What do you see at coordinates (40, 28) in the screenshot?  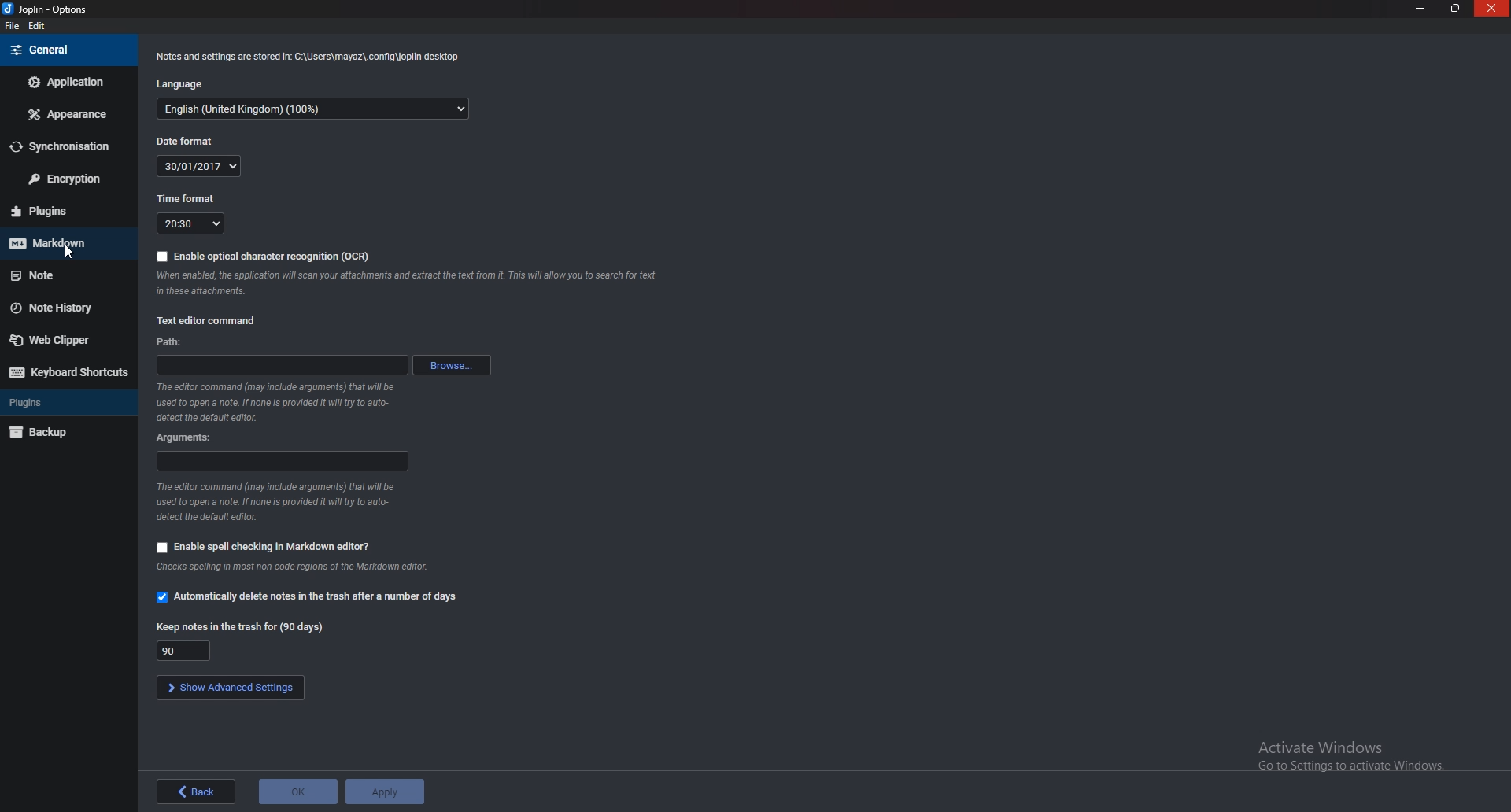 I see `edit` at bounding box center [40, 28].